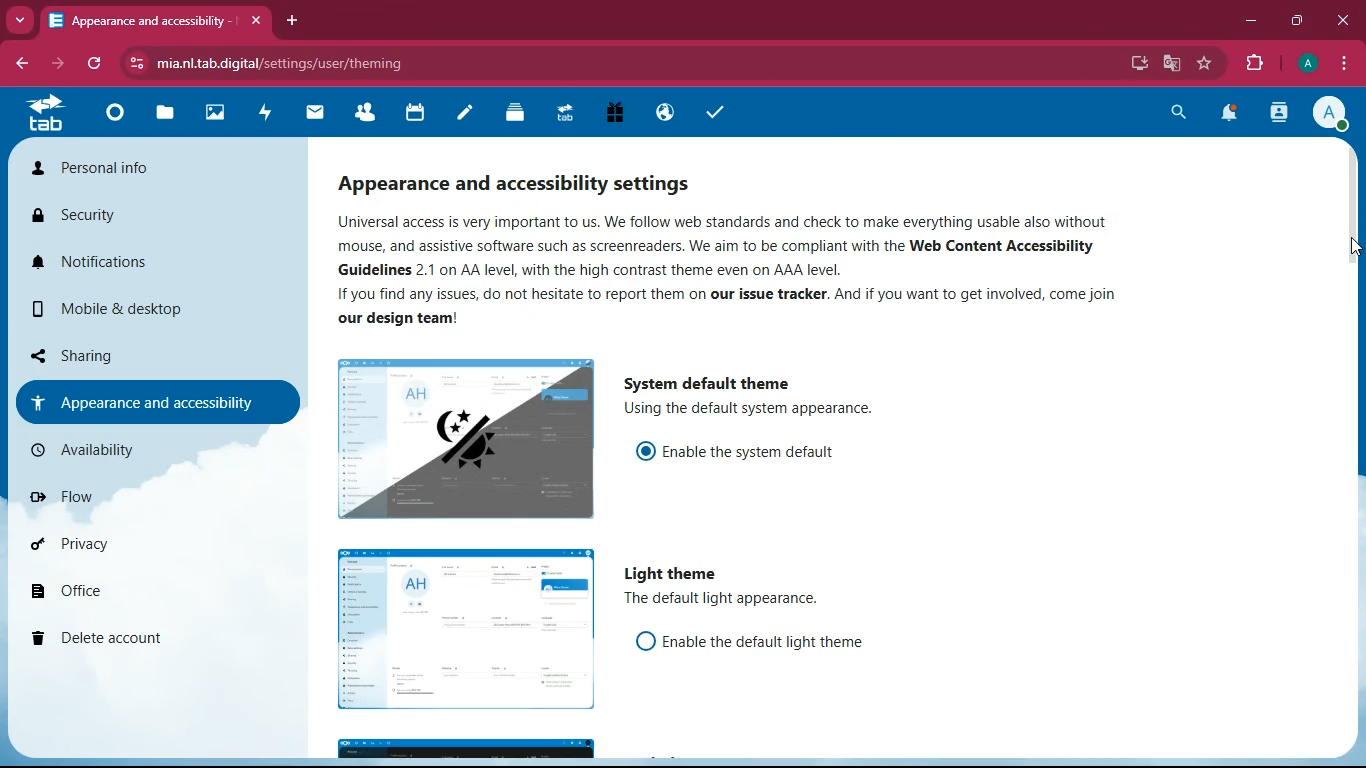 This screenshot has width=1366, height=768. I want to click on system default, so click(715, 379).